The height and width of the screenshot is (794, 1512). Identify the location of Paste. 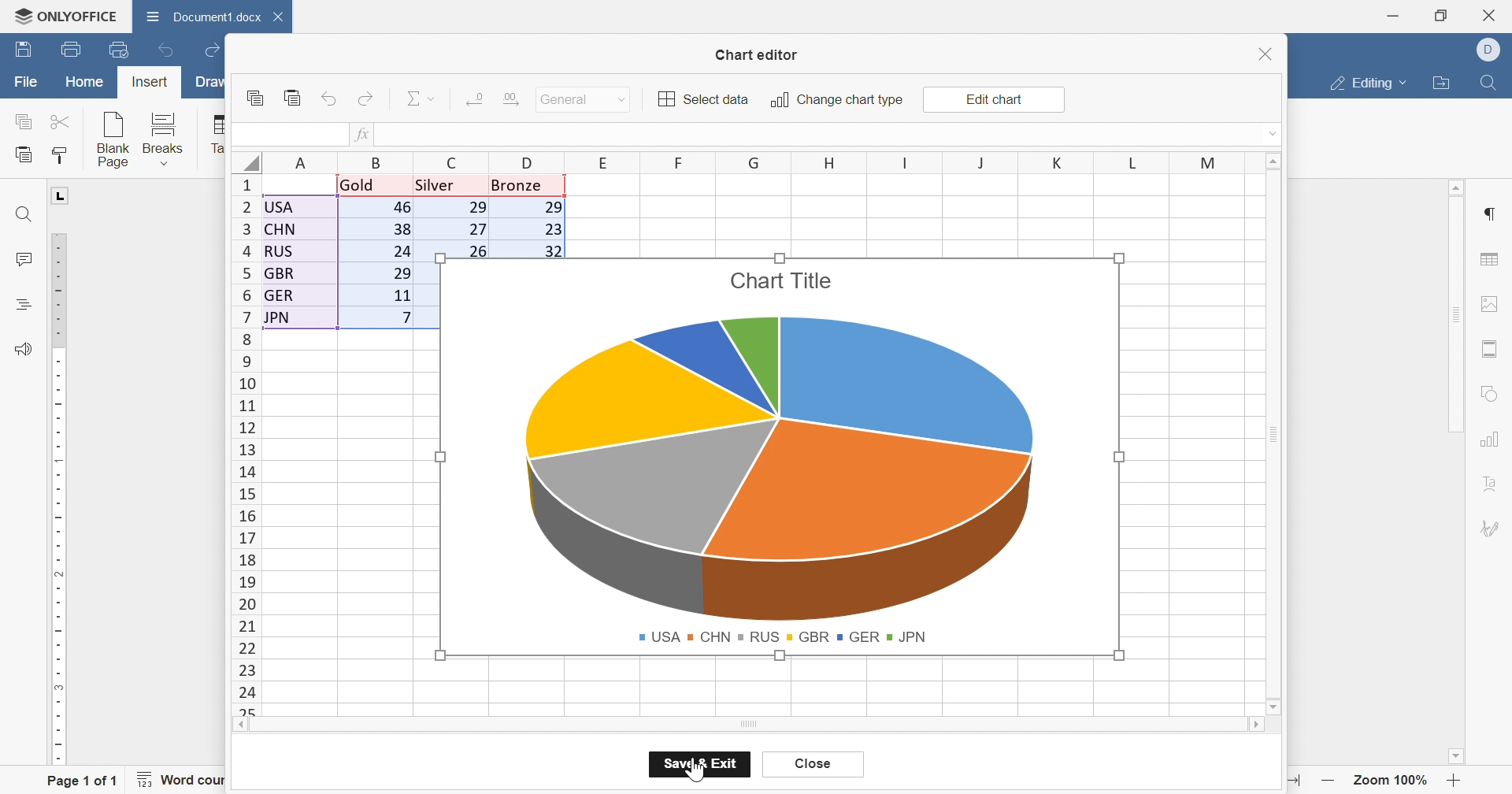
(26, 154).